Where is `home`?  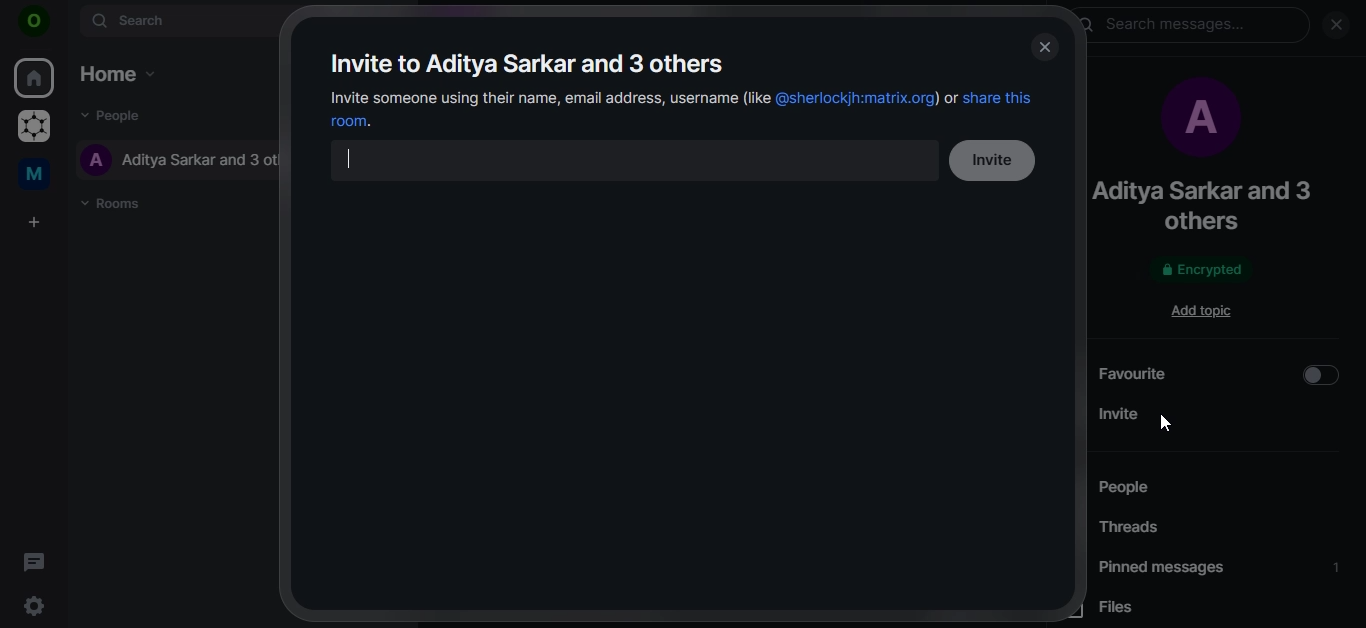
home is located at coordinates (117, 70).